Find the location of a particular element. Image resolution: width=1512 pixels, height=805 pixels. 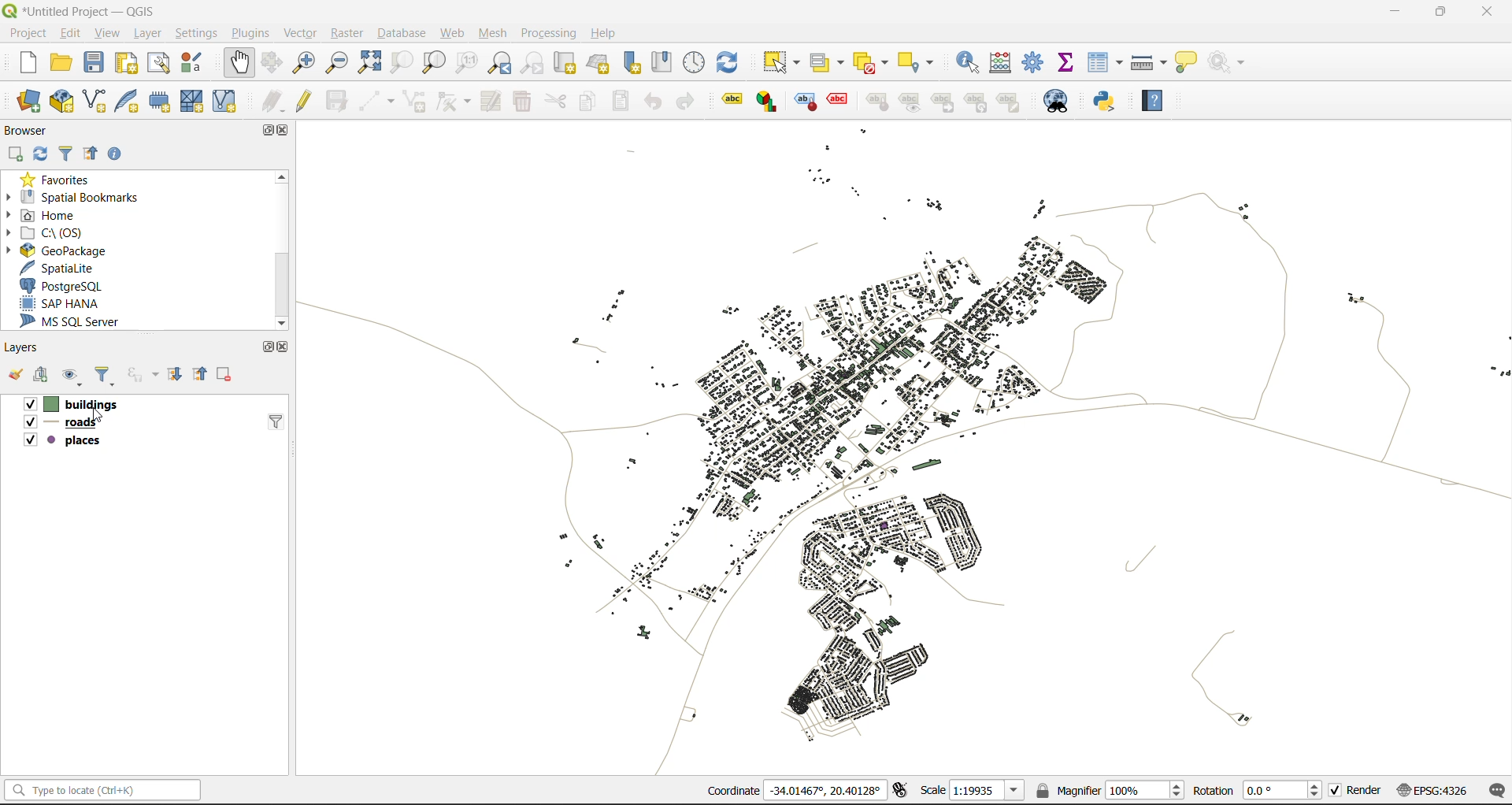

web is located at coordinates (454, 32).